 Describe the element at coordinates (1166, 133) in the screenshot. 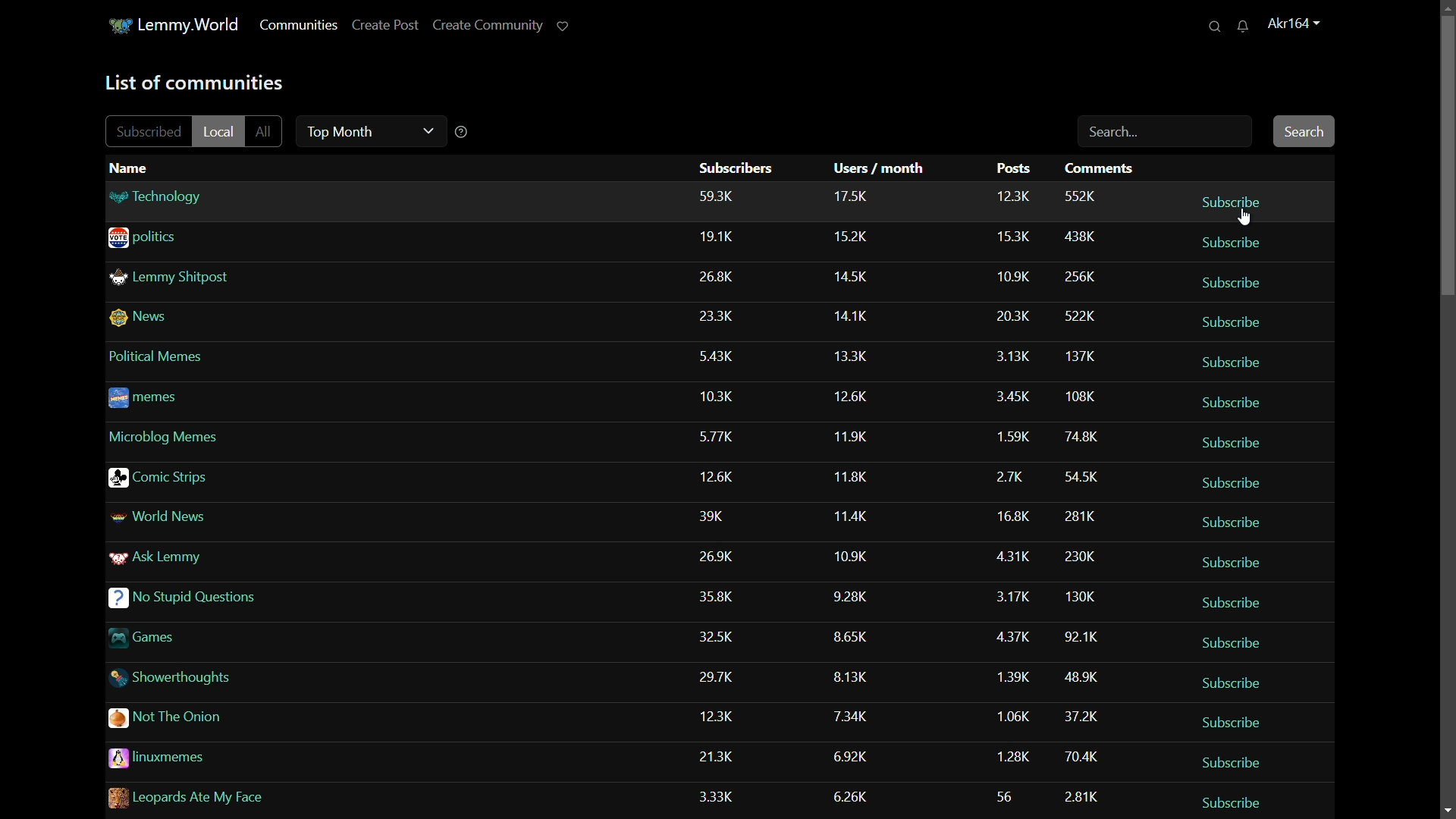

I see `search bar` at that location.